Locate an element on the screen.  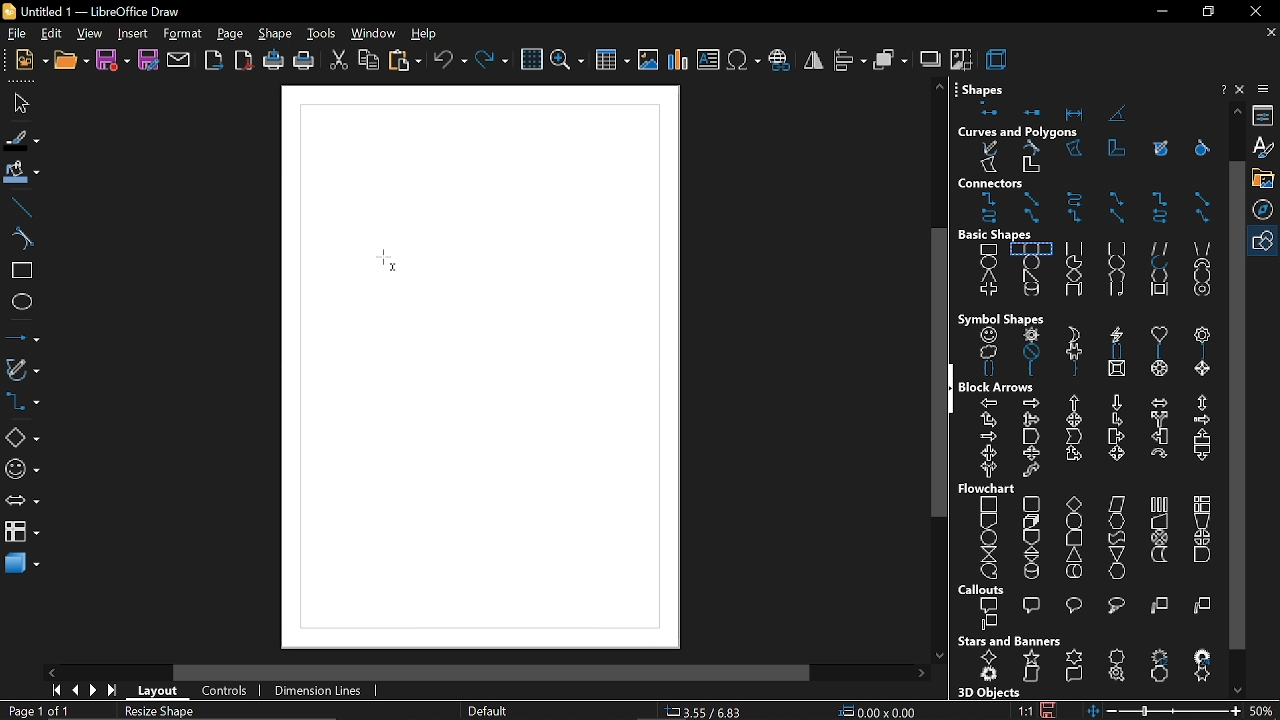
help is located at coordinates (425, 35).